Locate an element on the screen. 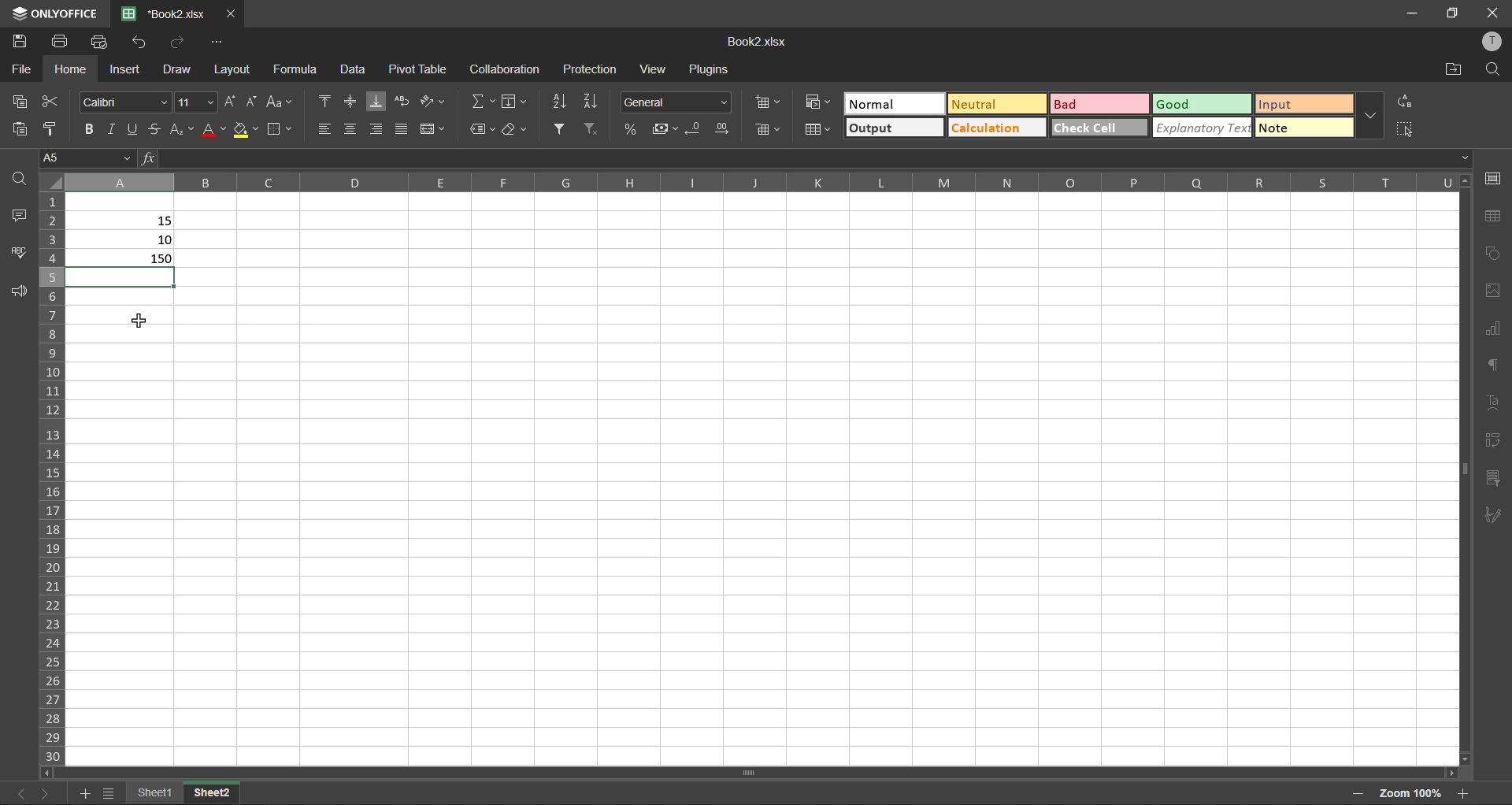 This screenshot has width=1512, height=805. good is located at coordinates (1203, 103).